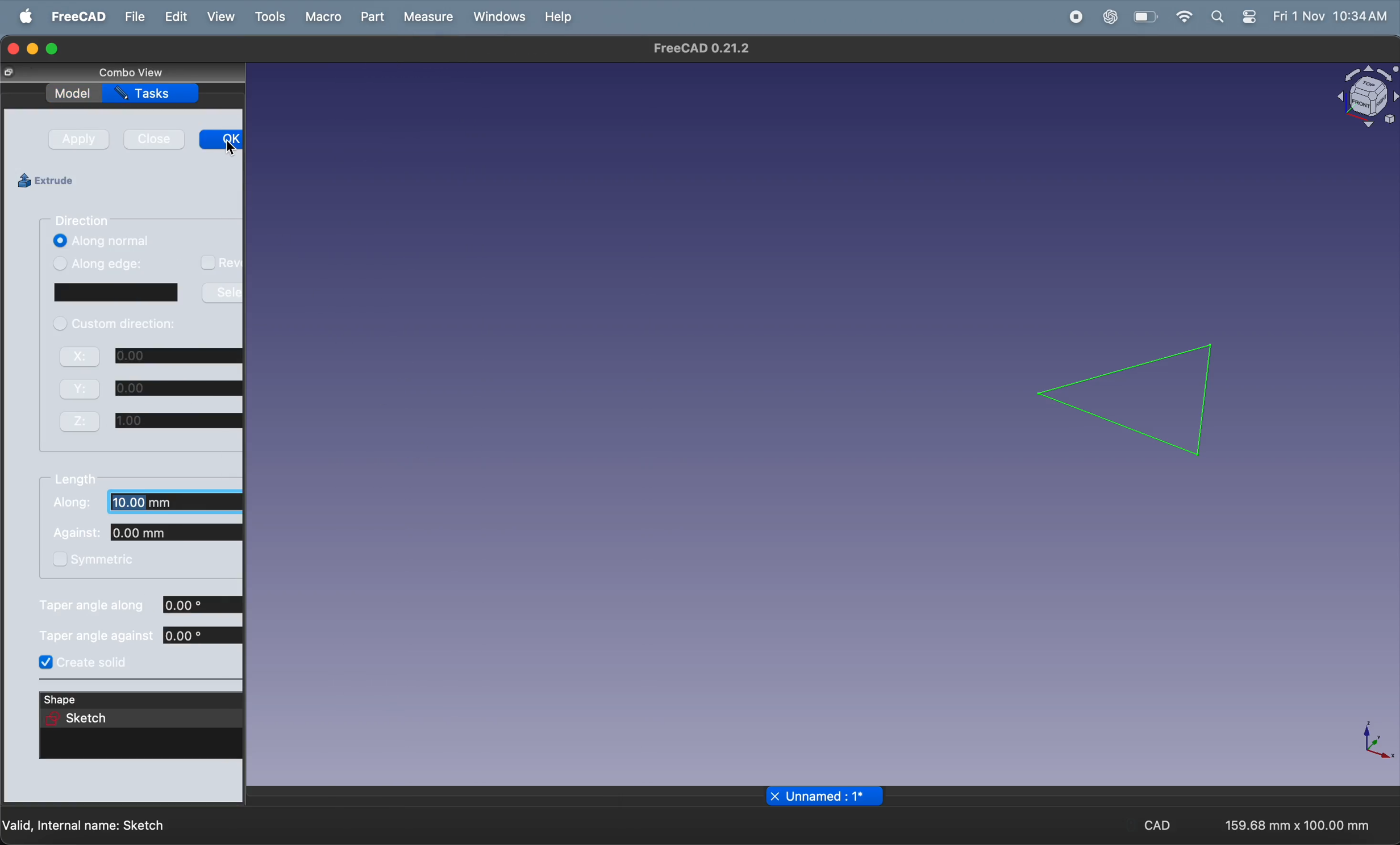  What do you see at coordinates (26, 181) in the screenshot?
I see `icon` at bounding box center [26, 181].